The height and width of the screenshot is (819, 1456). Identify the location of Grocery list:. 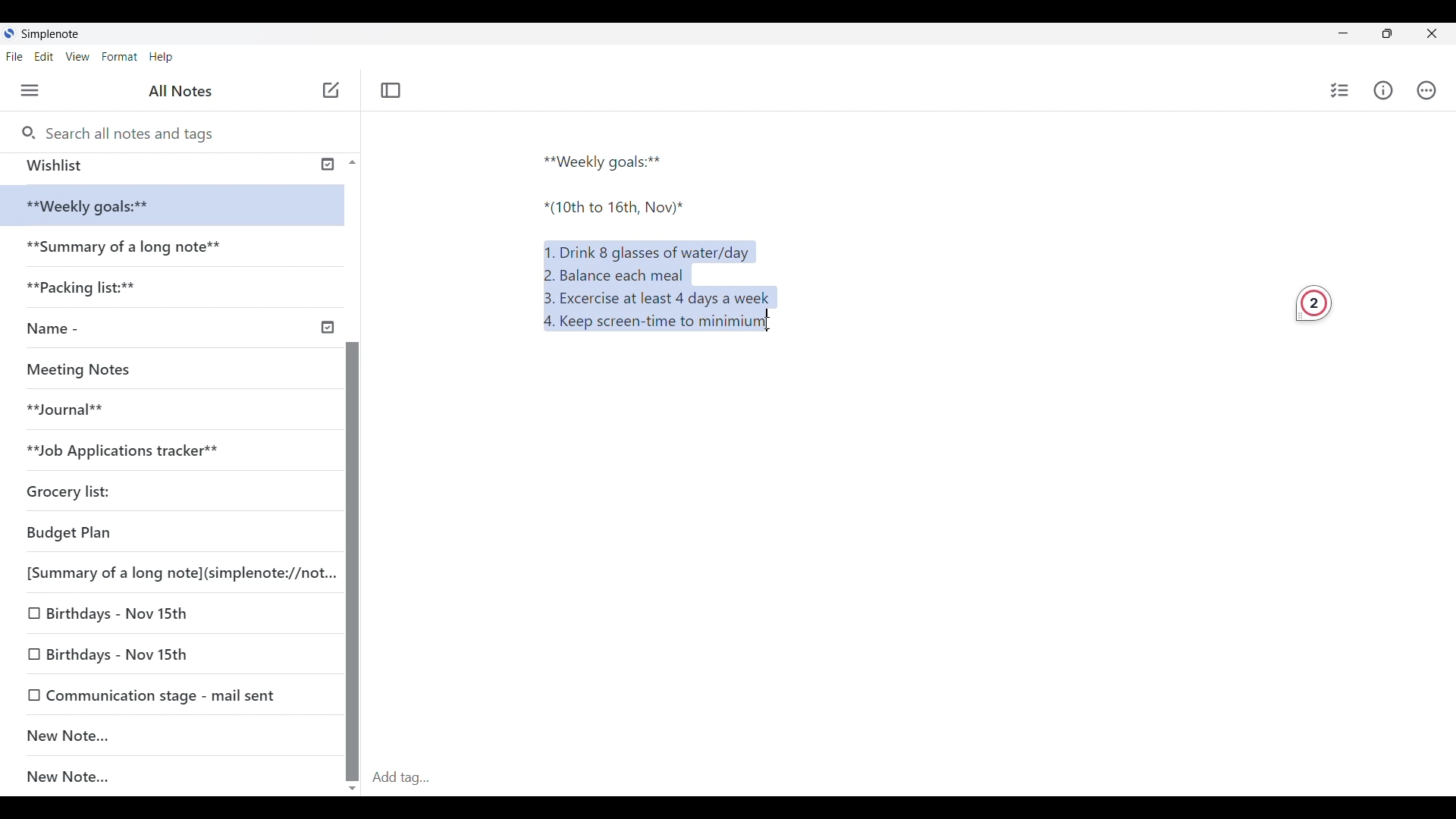
(92, 487).